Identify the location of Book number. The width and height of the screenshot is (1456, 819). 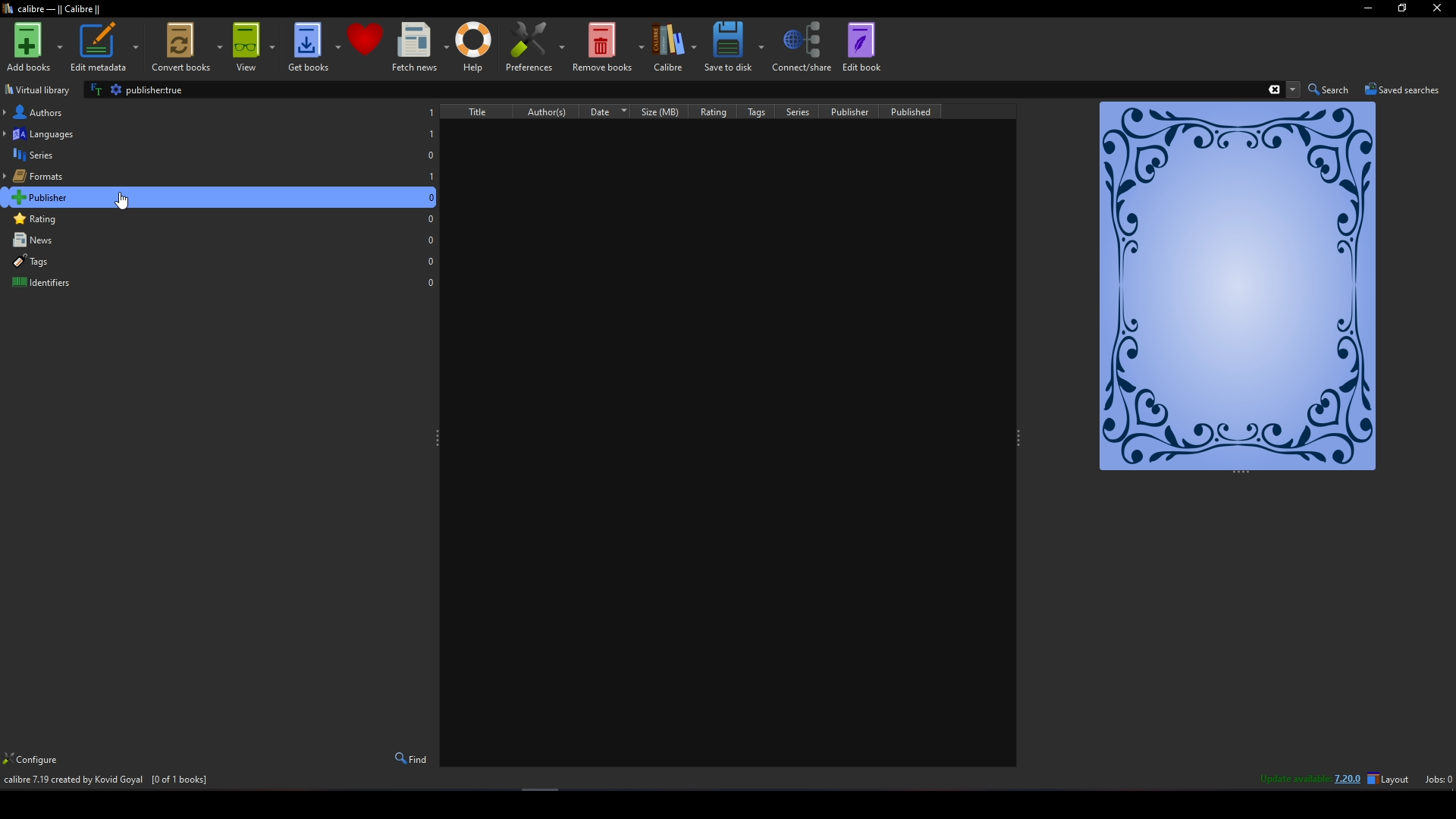
(444, 130).